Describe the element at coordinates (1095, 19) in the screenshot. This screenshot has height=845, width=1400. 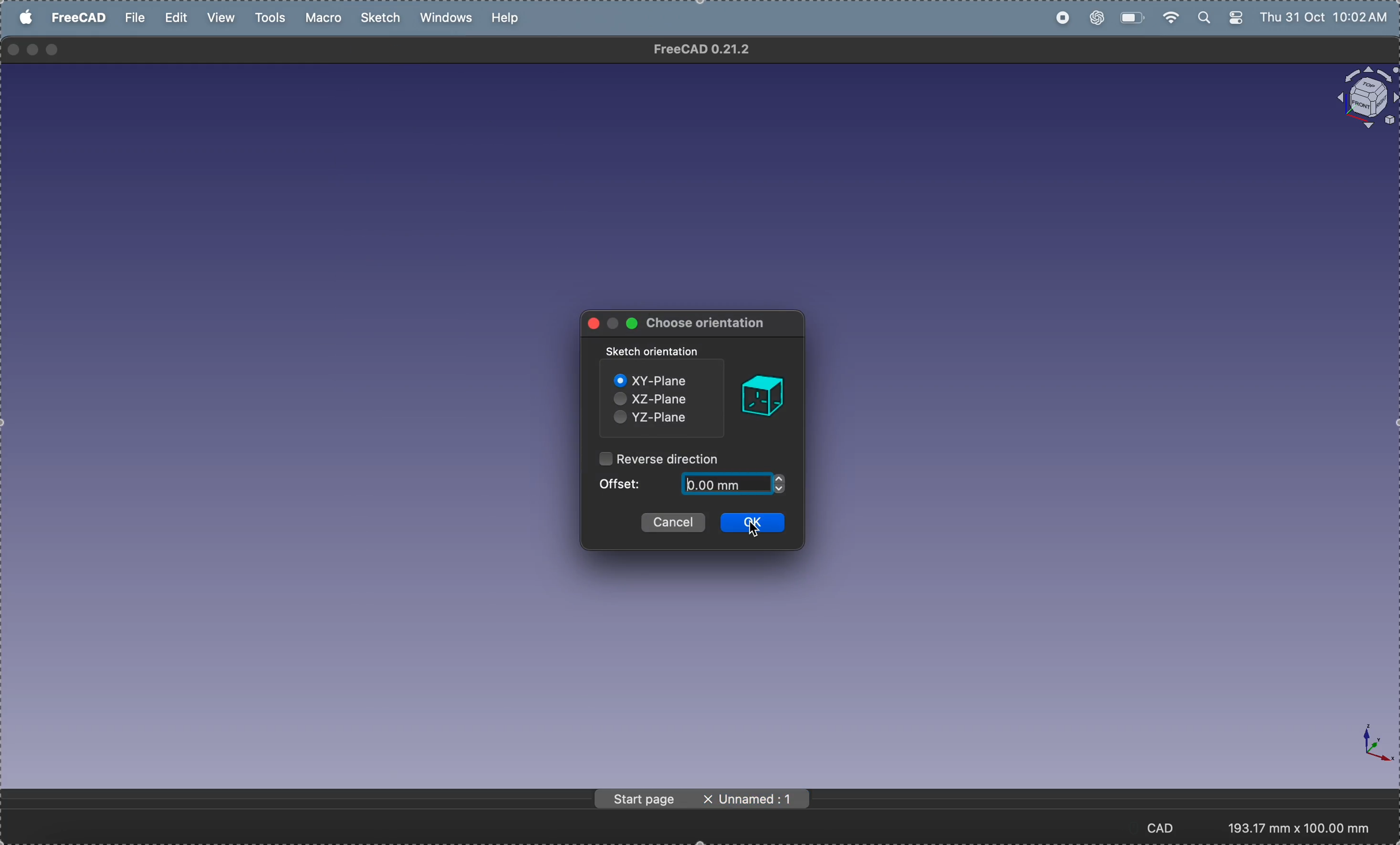
I see `chatgpt` at that location.